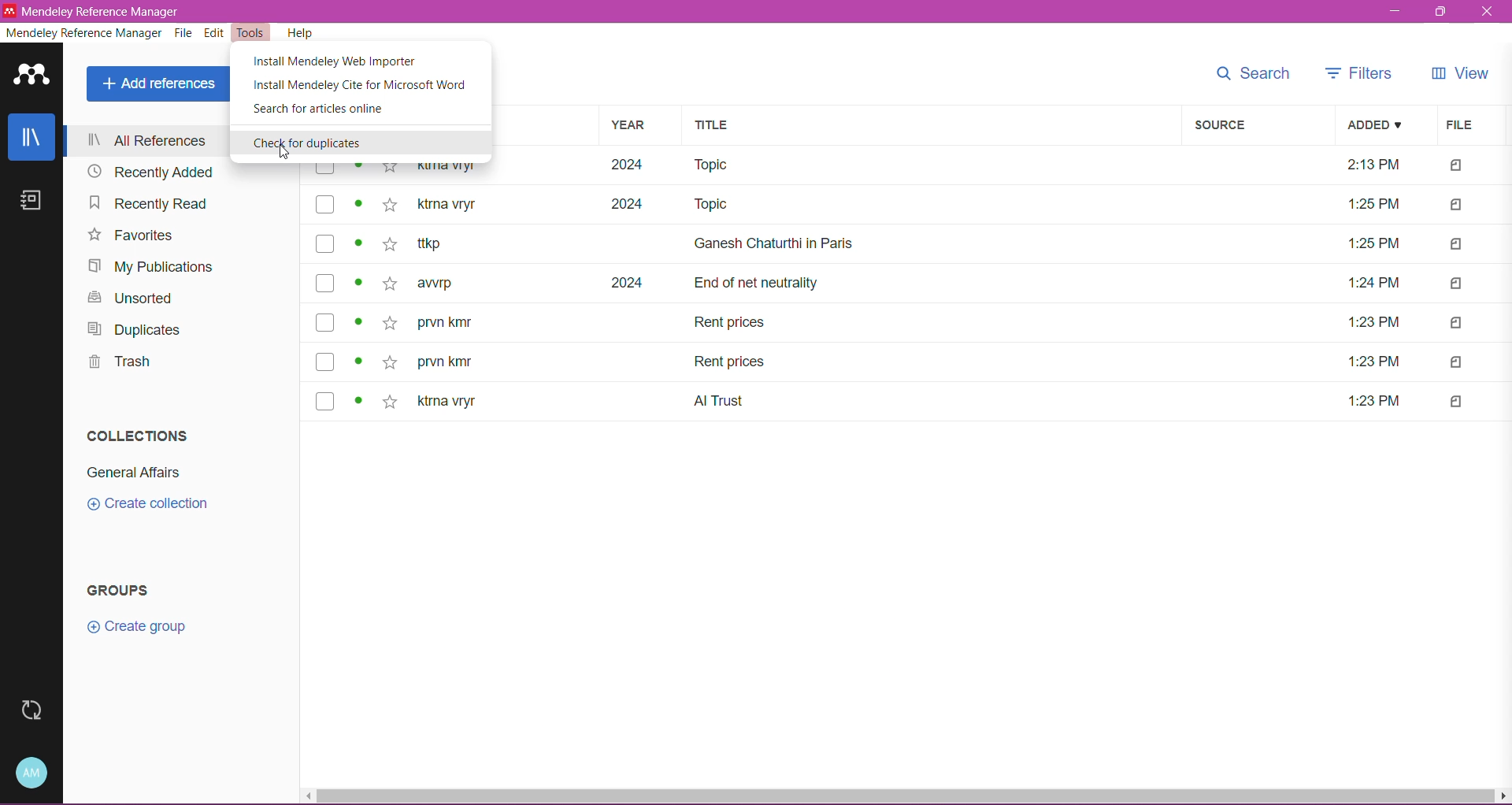 The height and width of the screenshot is (805, 1512). Describe the element at coordinates (131, 299) in the screenshot. I see `Unsorted` at that location.